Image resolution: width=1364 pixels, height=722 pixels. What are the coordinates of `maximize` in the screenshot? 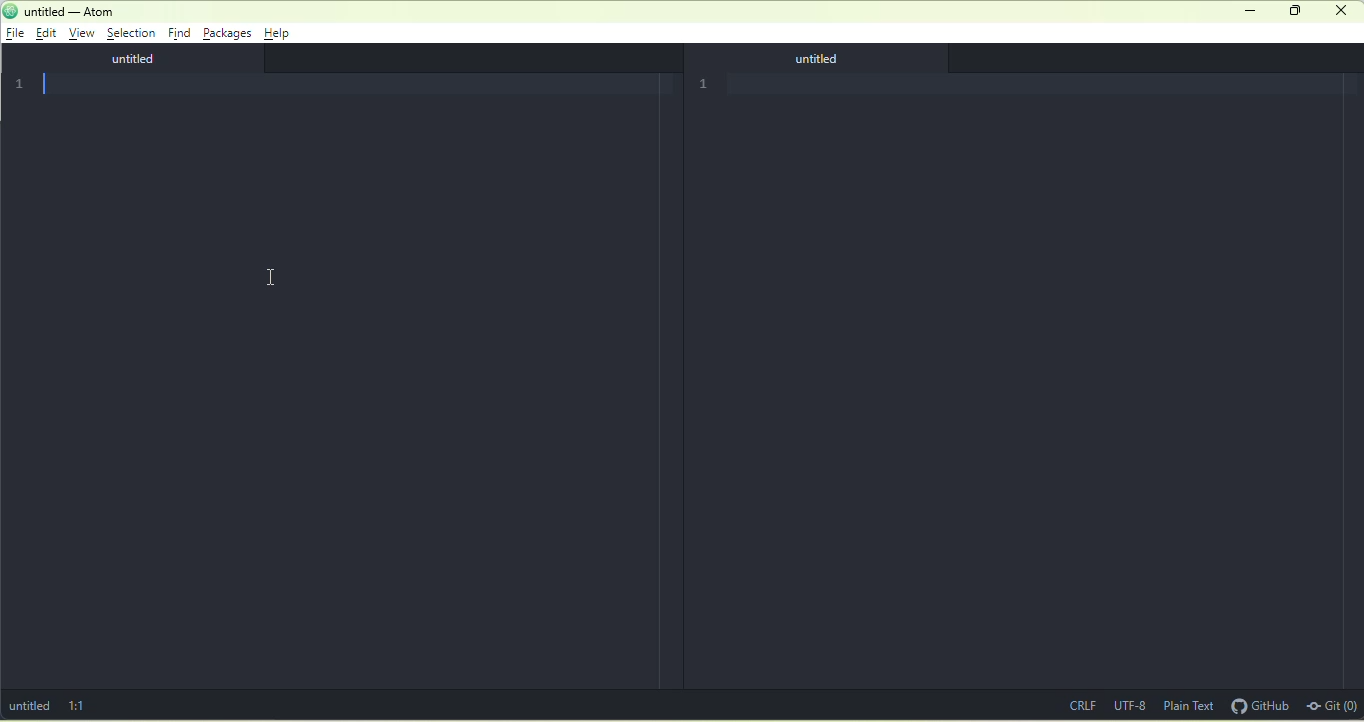 It's located at (1293, 11).